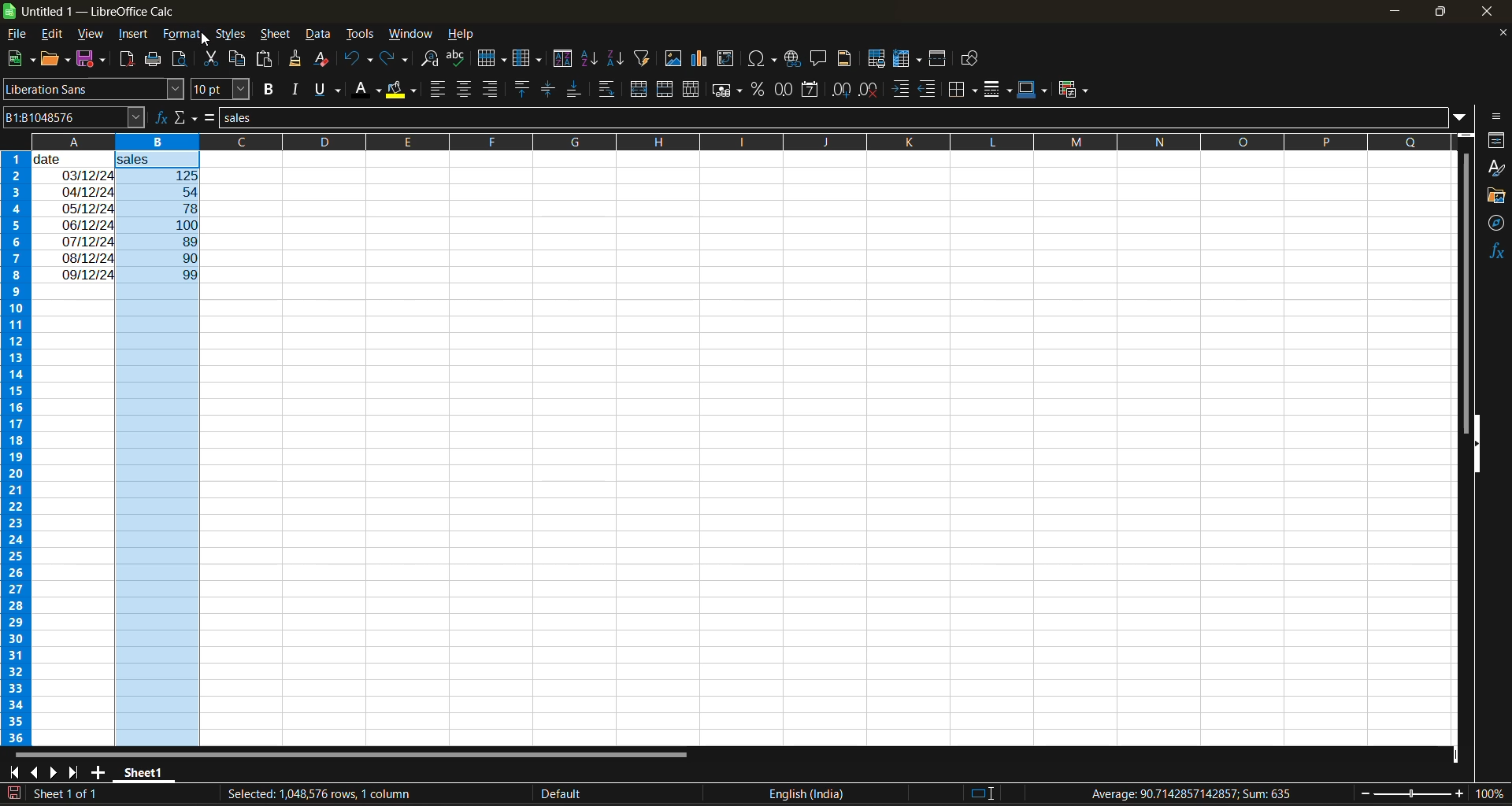 Image resolution: width=1512 pixels, height=806 pixels. What do you see at coordinates (180, 57) in the screenshot?
I see `toggle print preview` at bounding box center [180, 57].